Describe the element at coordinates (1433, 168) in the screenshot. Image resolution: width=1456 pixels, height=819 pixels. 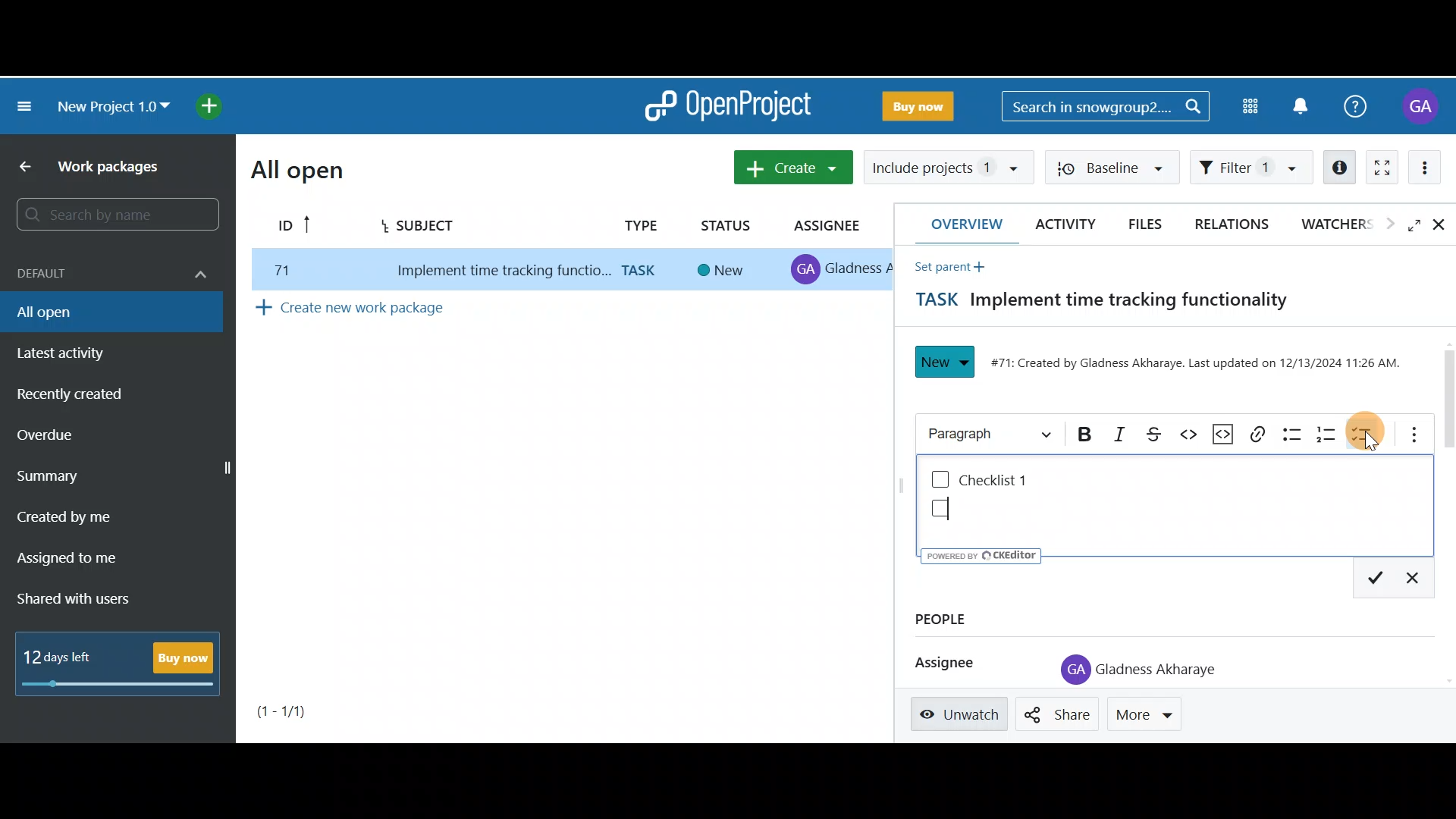
I see `More actions` at that location.